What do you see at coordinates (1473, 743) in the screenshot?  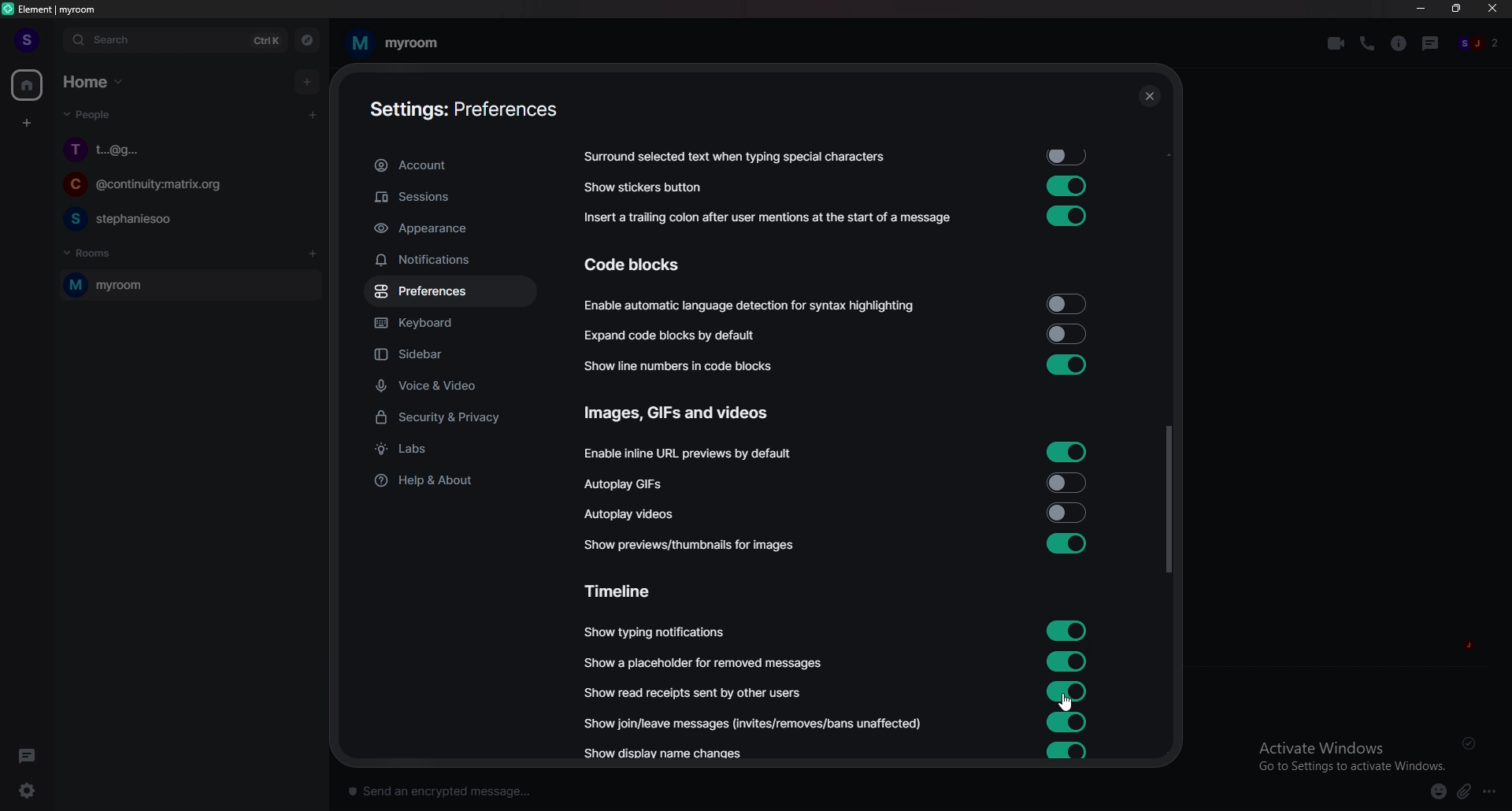 I see `` at bounding box center [1473, 743].